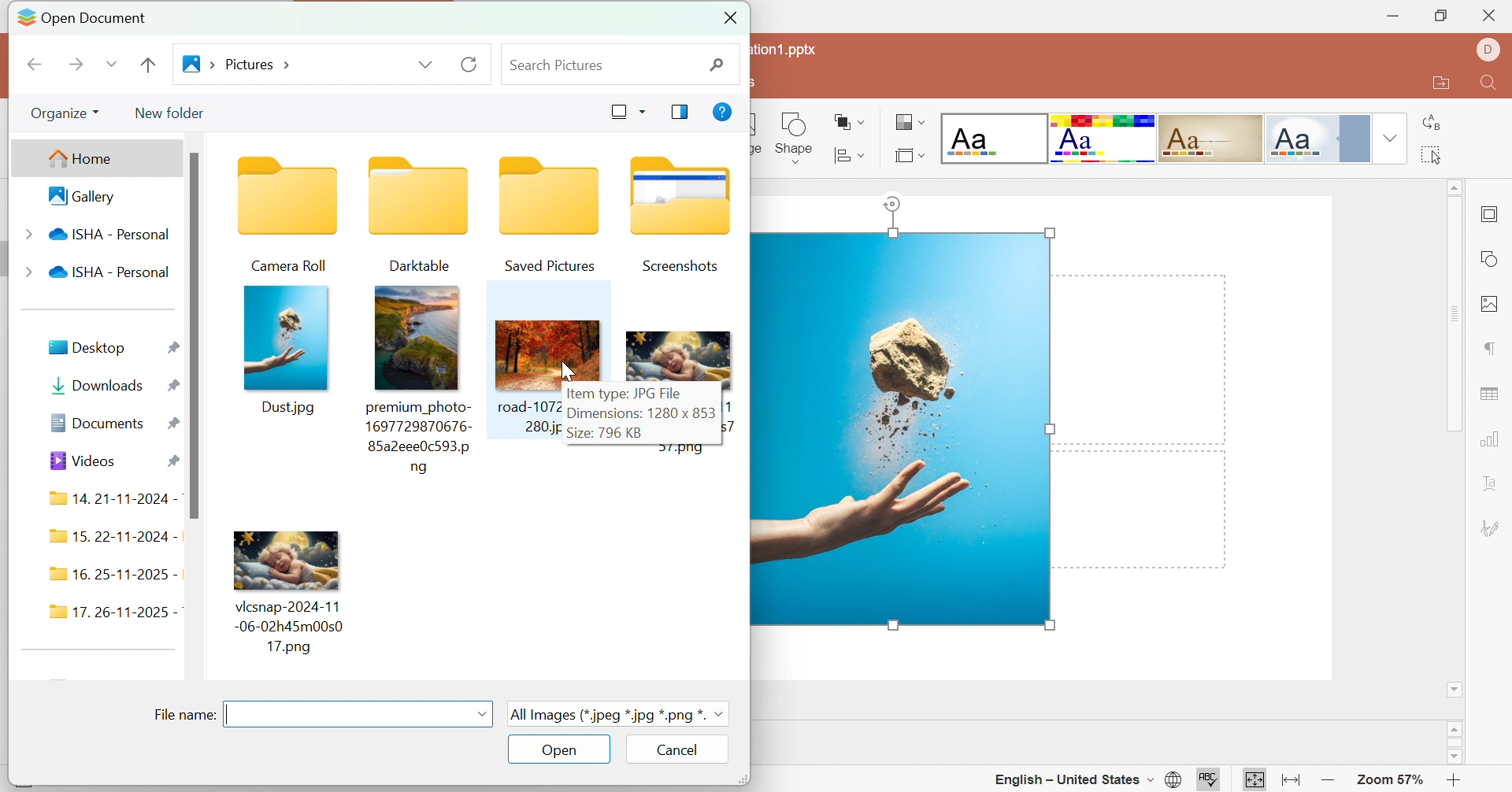  What do you see at coordinates (631, 110) in the screenshot?
I see `Change your view` at bounding box center [631, 110].